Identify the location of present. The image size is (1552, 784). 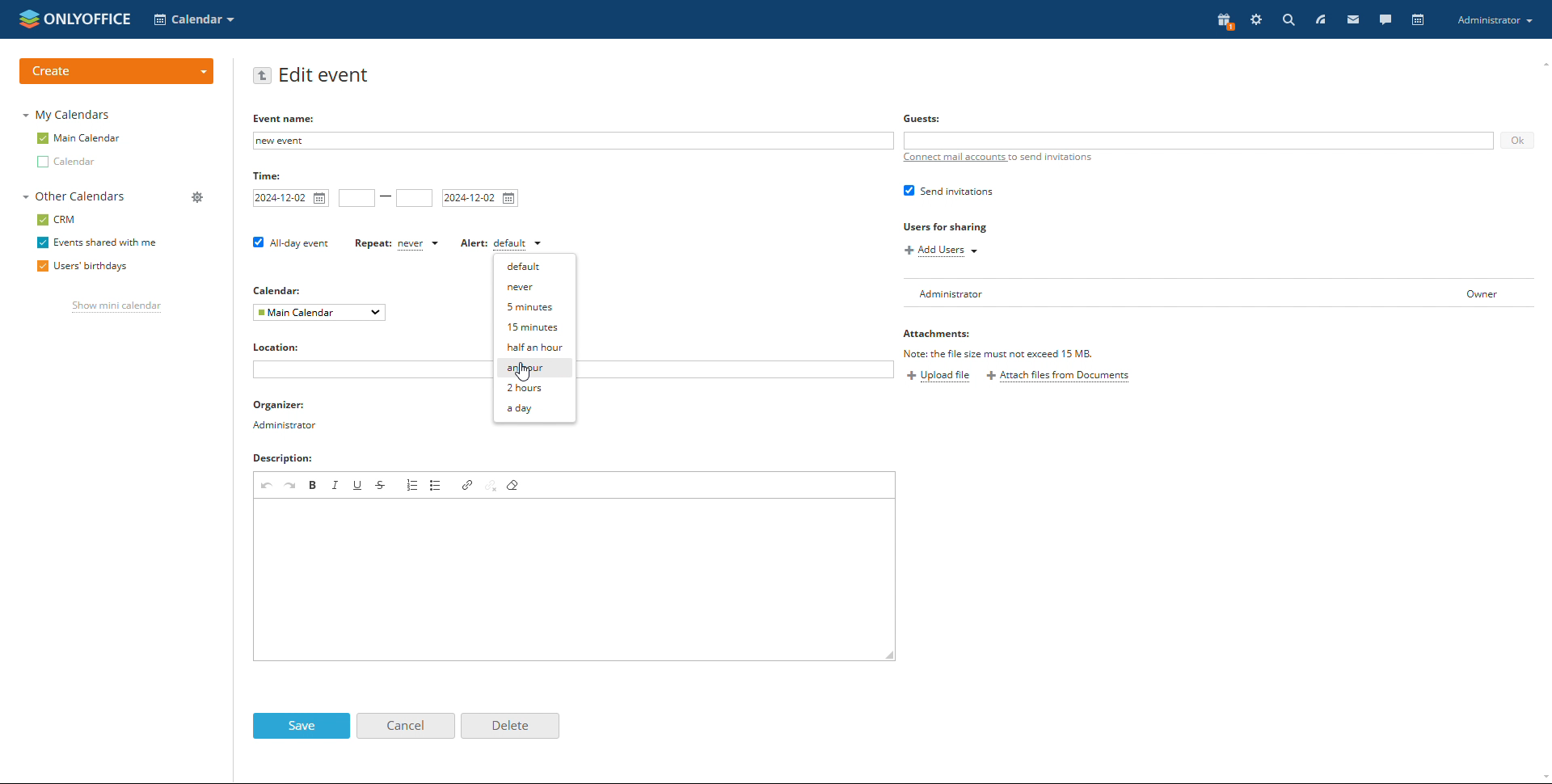
(1225, 21).